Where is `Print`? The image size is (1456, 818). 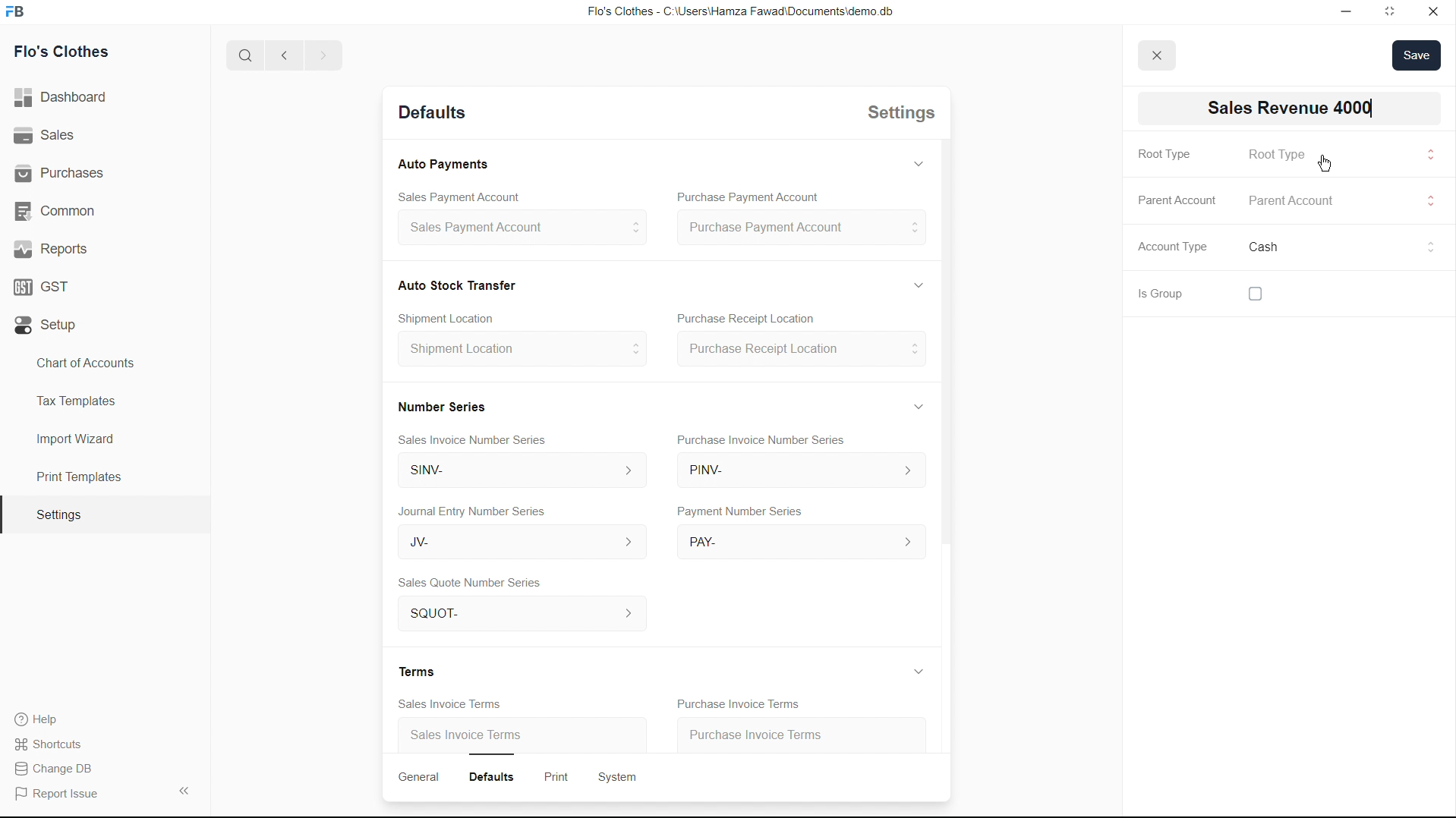
Print is located at coordinates (559, 775).